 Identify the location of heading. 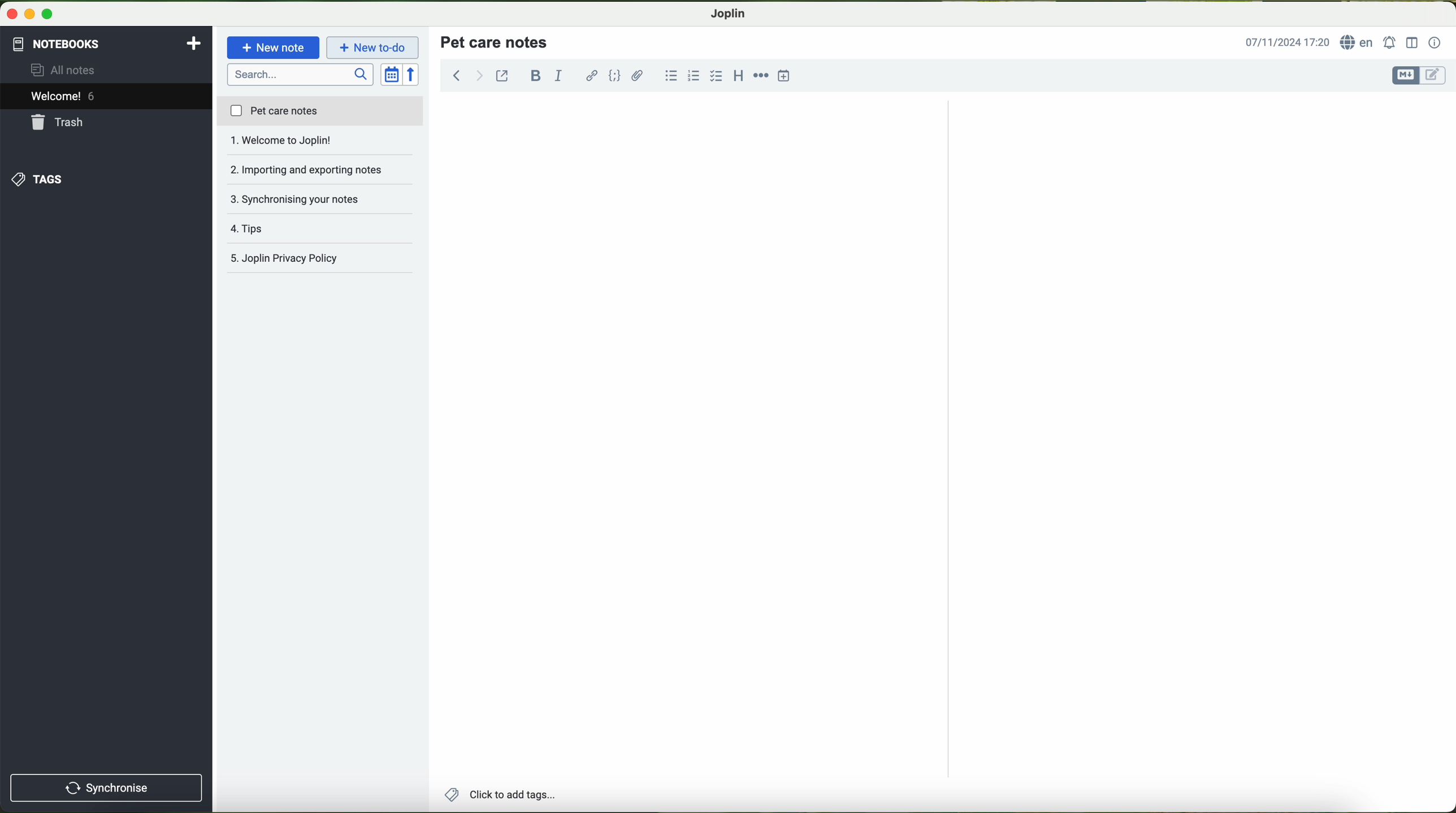
(739, 75).